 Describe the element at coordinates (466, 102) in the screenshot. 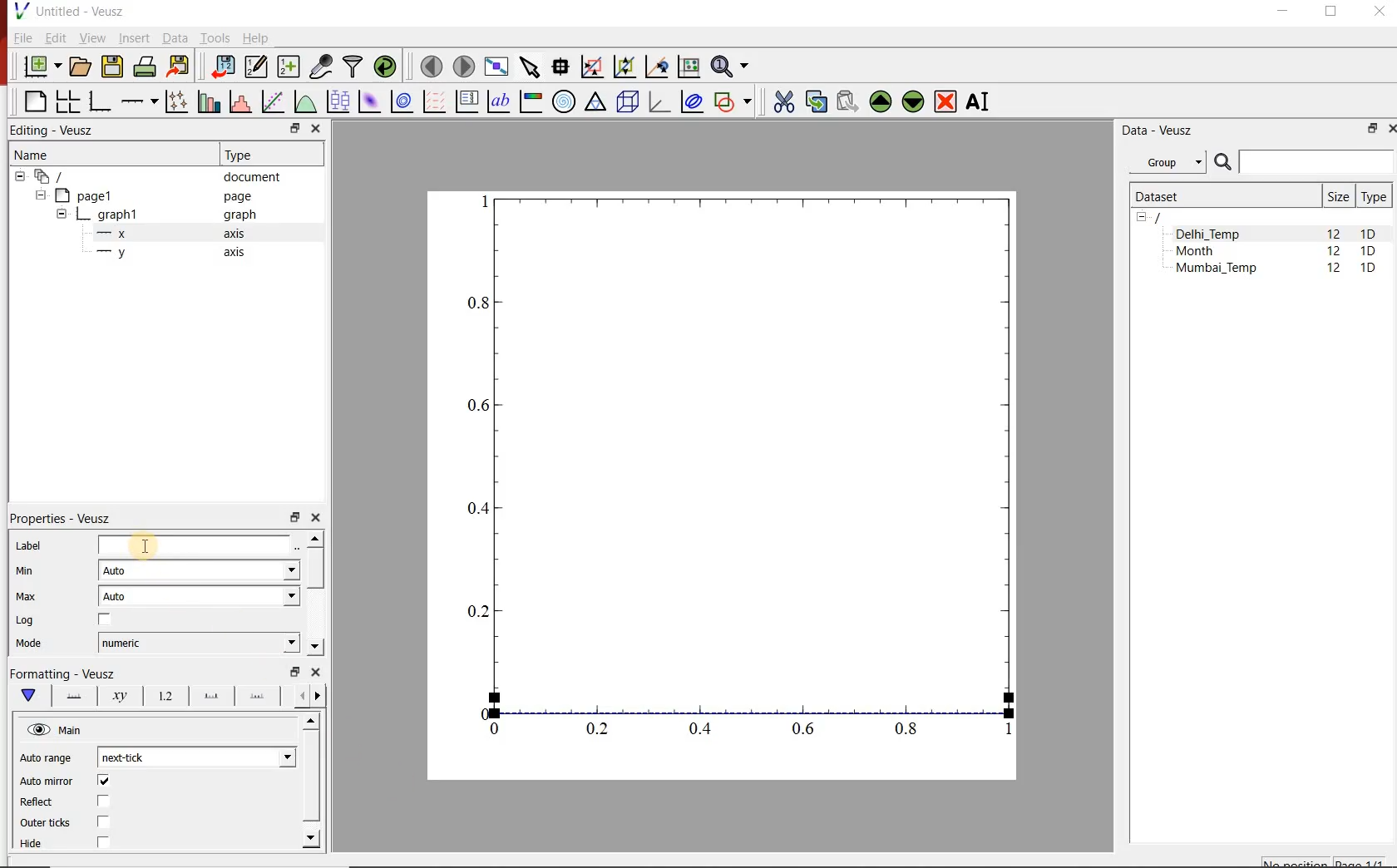

I see `plot key` at that location.